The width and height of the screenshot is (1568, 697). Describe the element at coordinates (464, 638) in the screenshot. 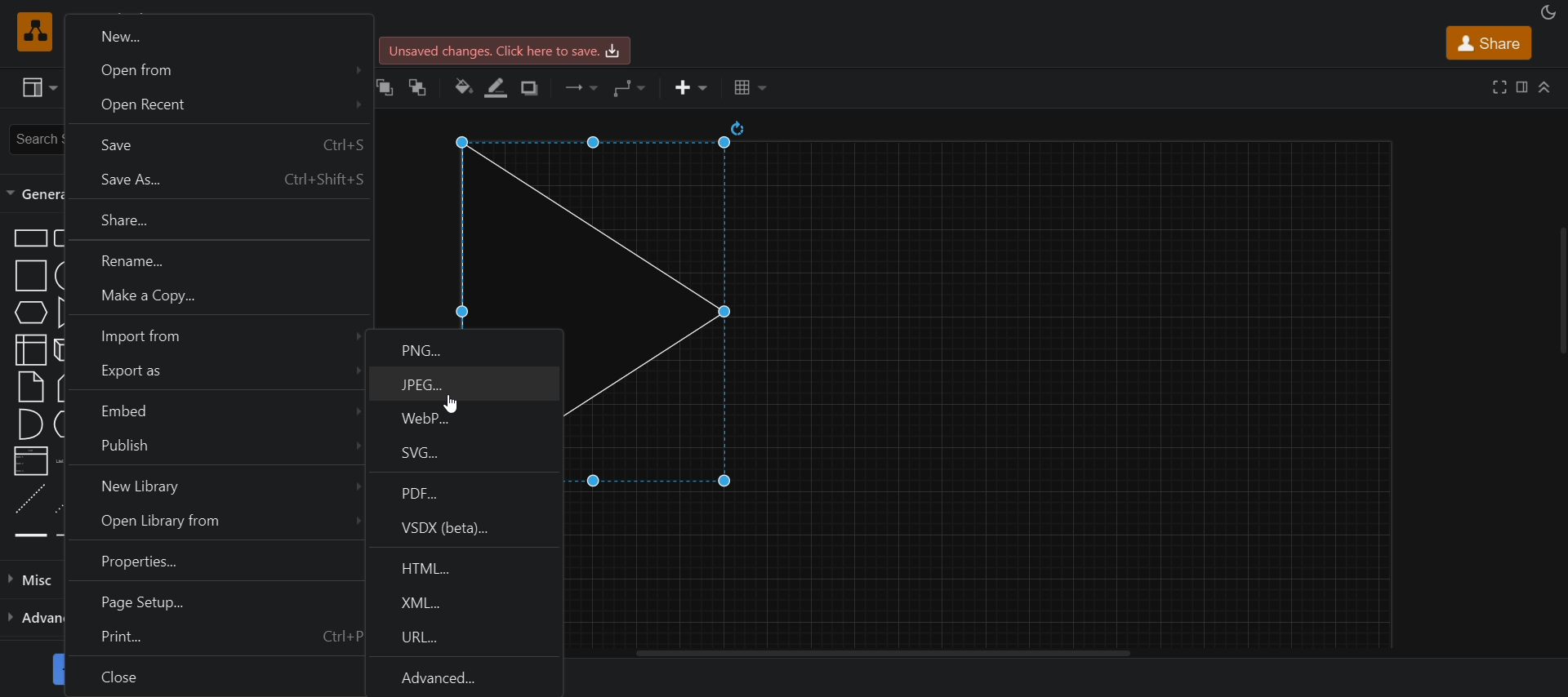

I see `url` at that location.